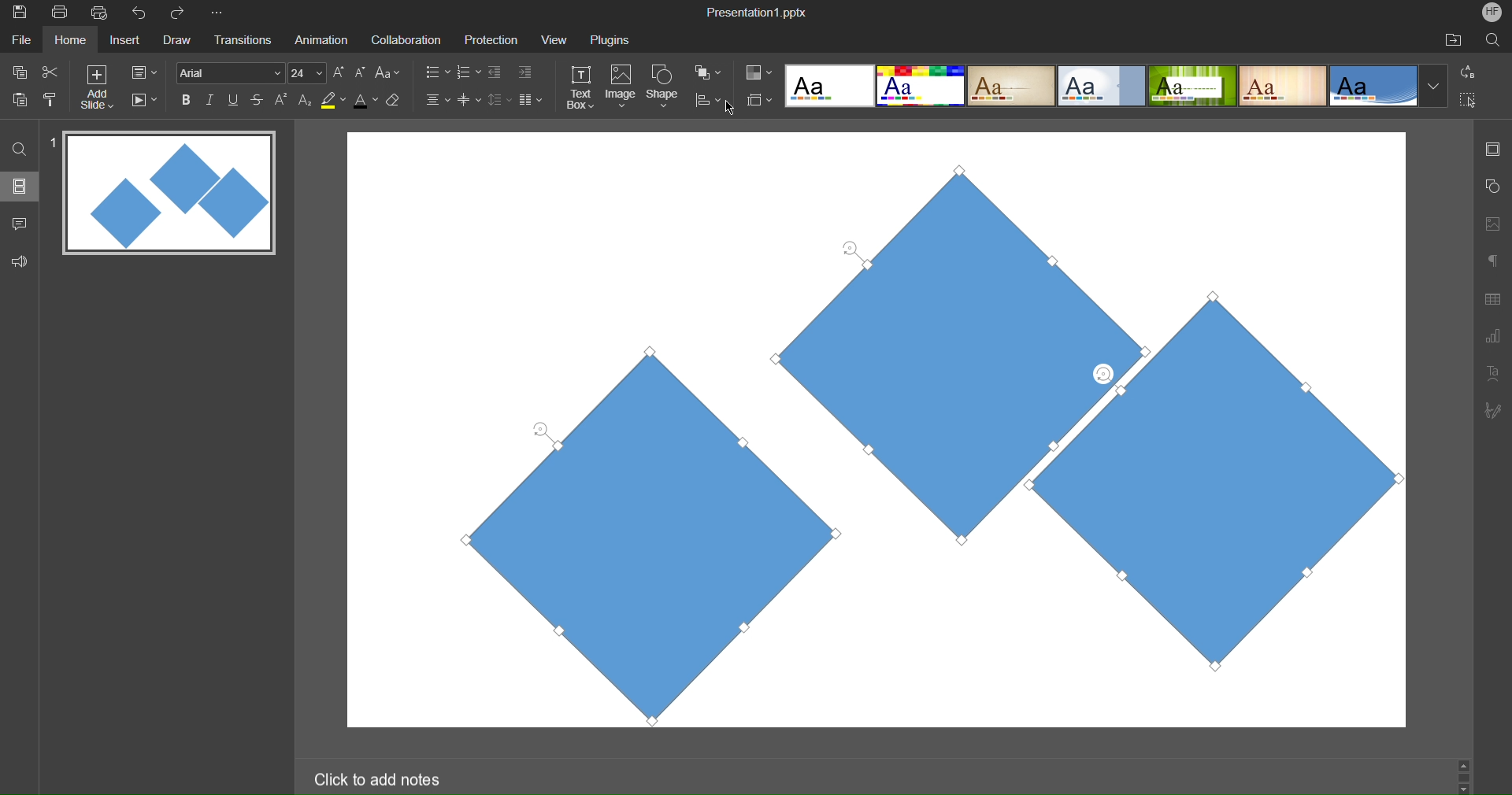  I want to click on Slide Settings, so click(1491, 149).